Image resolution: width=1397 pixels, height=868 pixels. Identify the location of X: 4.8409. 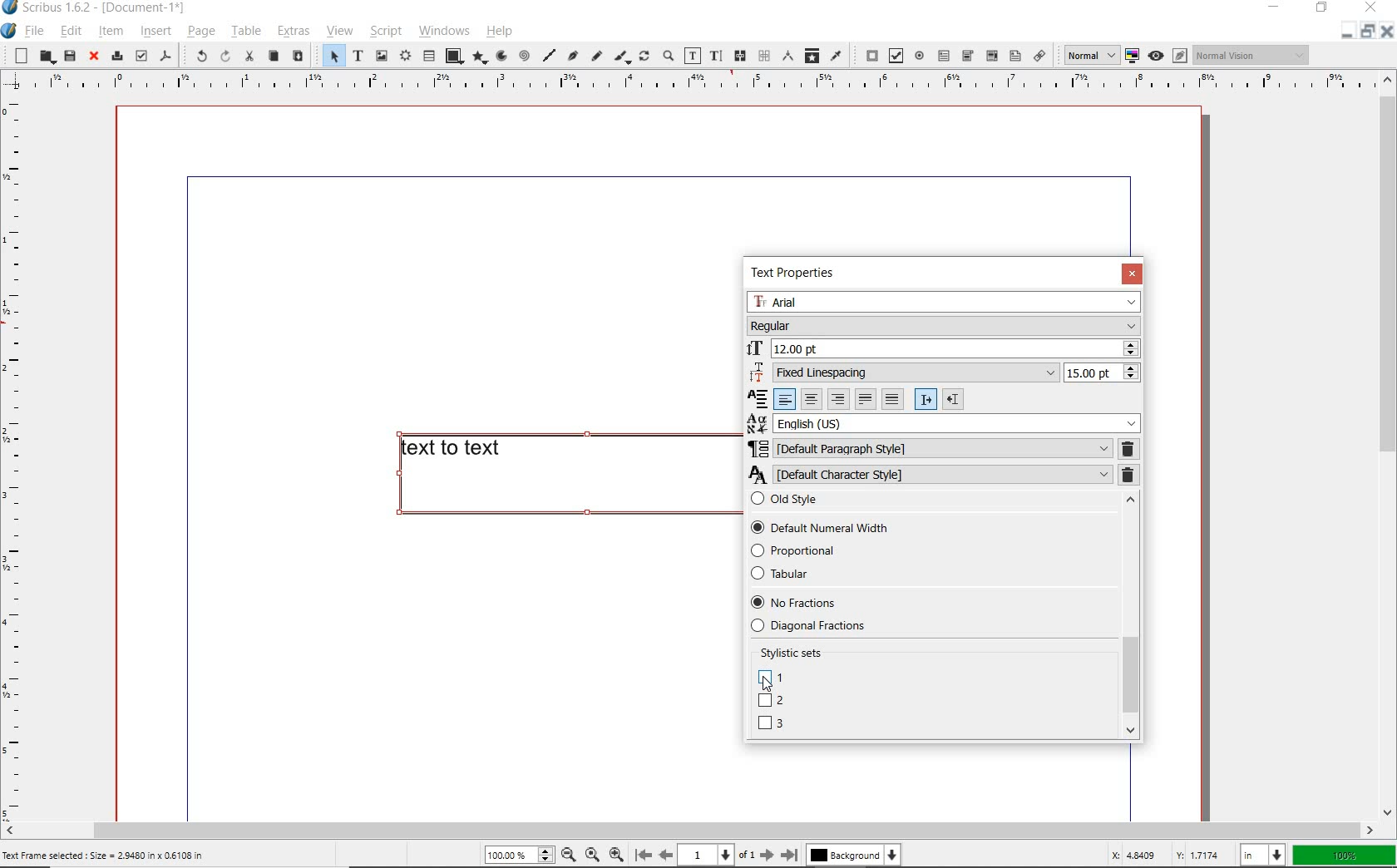
(1137, 855).